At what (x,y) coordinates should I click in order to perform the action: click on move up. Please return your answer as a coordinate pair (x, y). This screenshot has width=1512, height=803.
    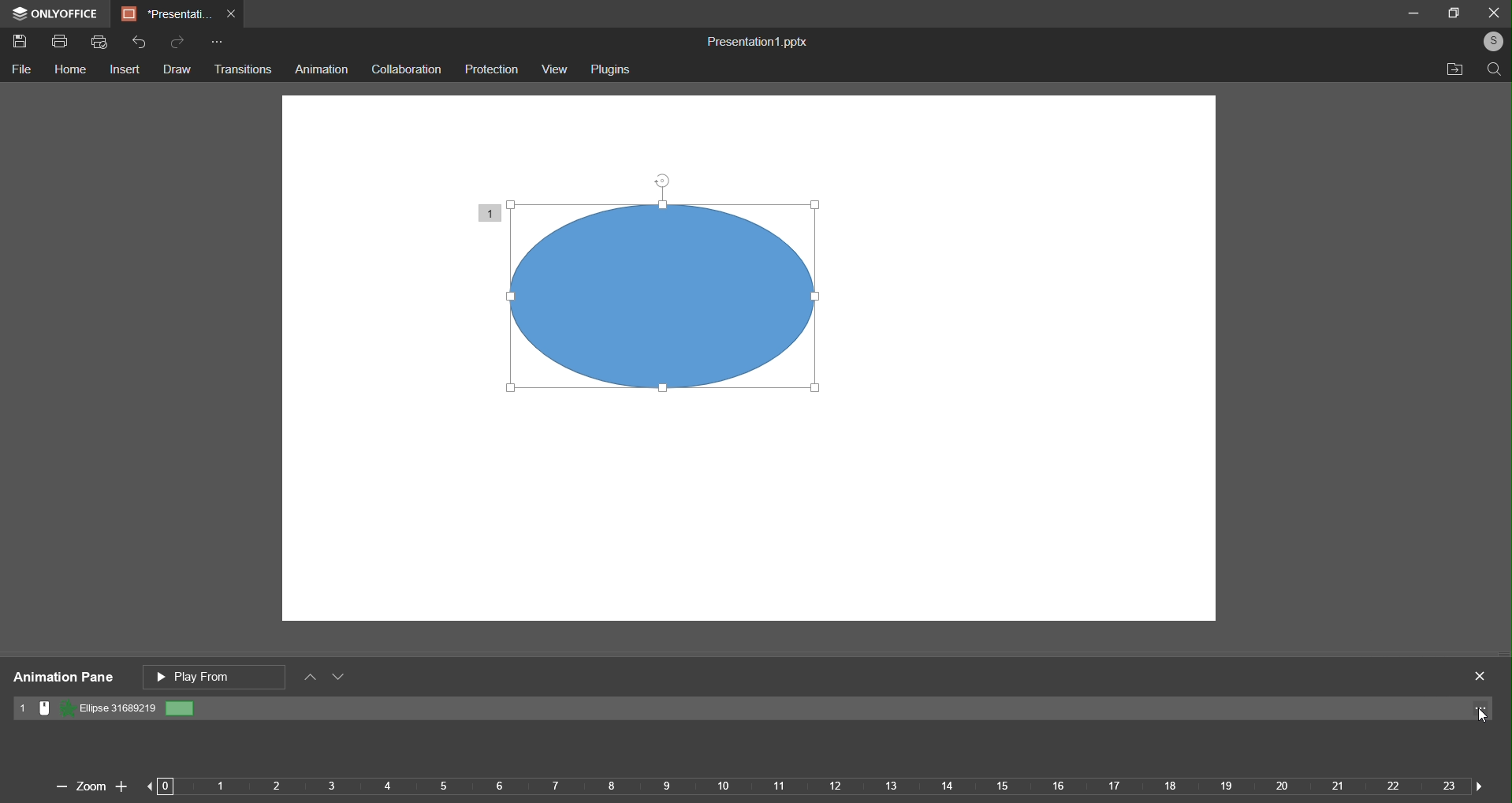
    Looking at the image, I should click on (311, 678).